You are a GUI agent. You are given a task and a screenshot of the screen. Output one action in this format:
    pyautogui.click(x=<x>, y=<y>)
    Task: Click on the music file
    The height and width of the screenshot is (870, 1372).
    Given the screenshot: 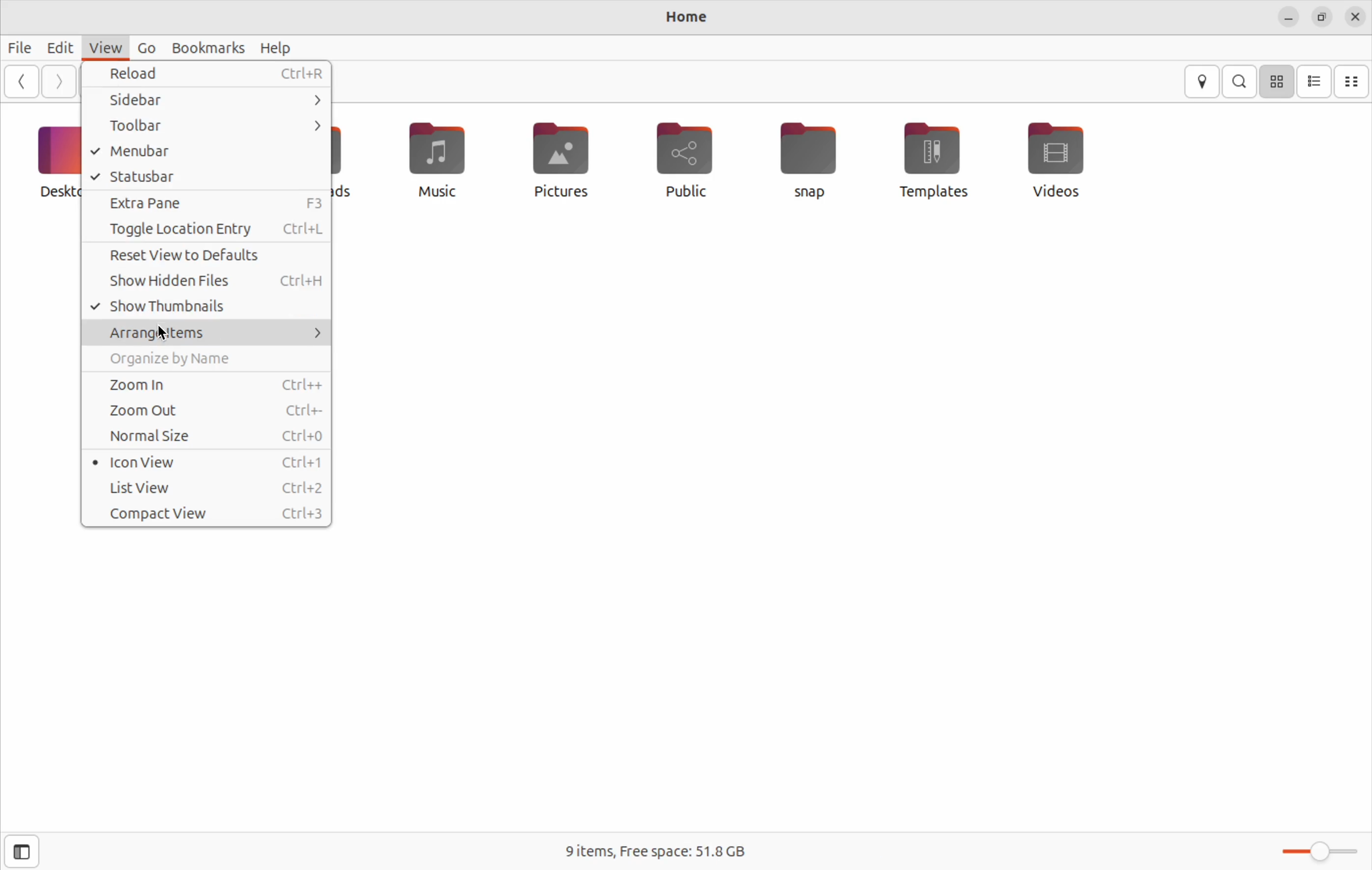 What is the action you would take?
    pyautogui.click(x=432, y=159)
    